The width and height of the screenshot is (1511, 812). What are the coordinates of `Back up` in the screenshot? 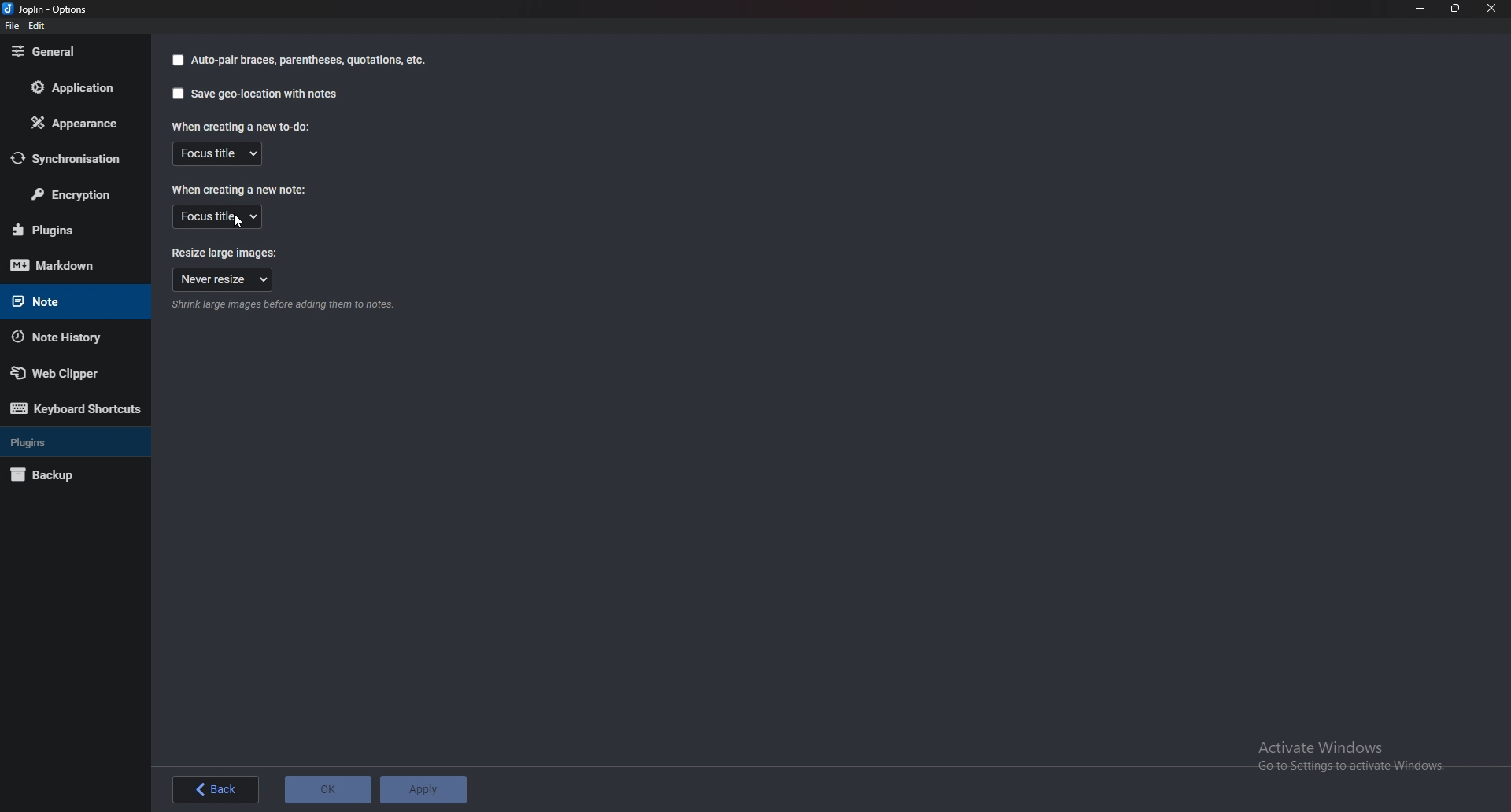 It's located at (65, 474).